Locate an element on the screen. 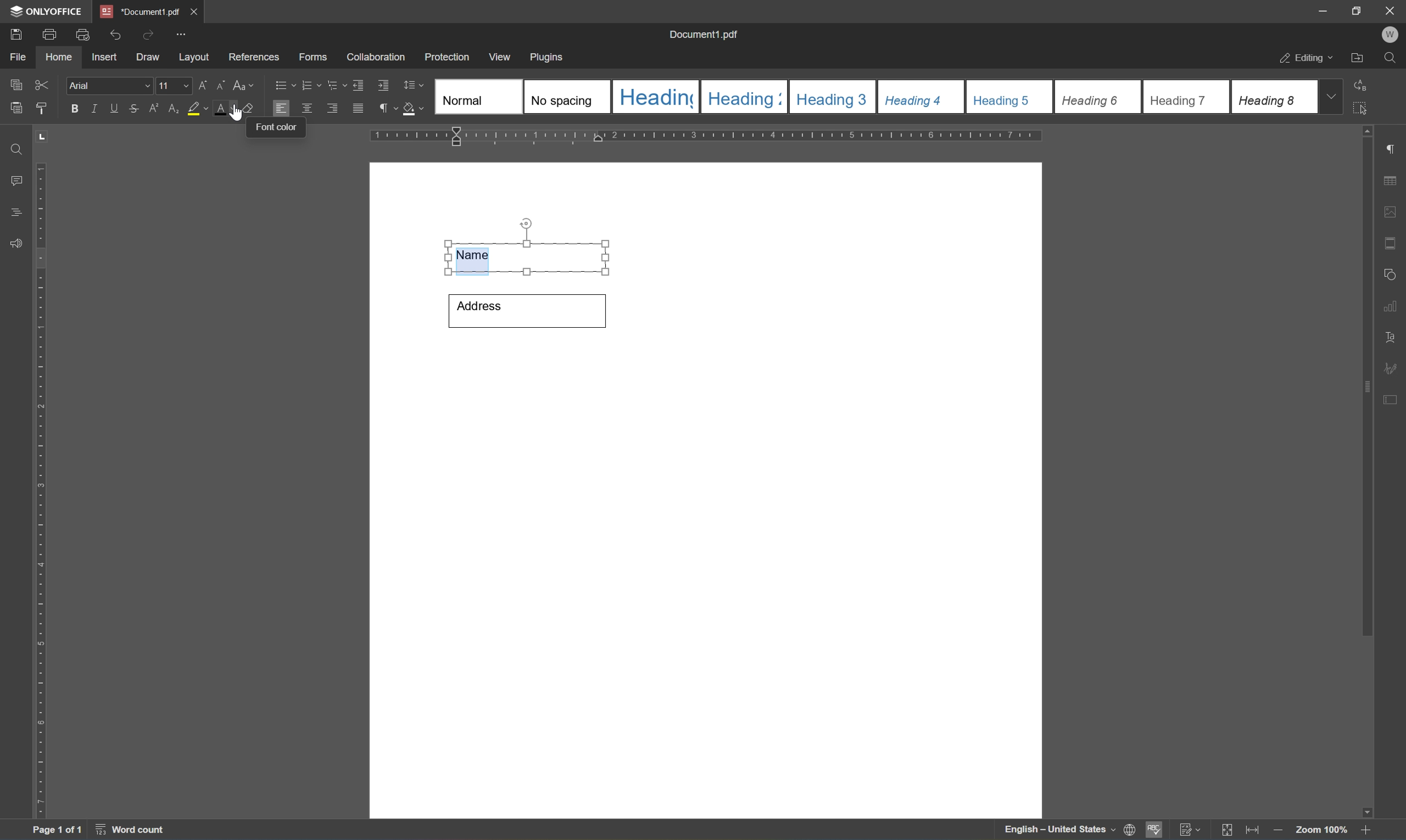  align center is located at coordinates (306, 108).